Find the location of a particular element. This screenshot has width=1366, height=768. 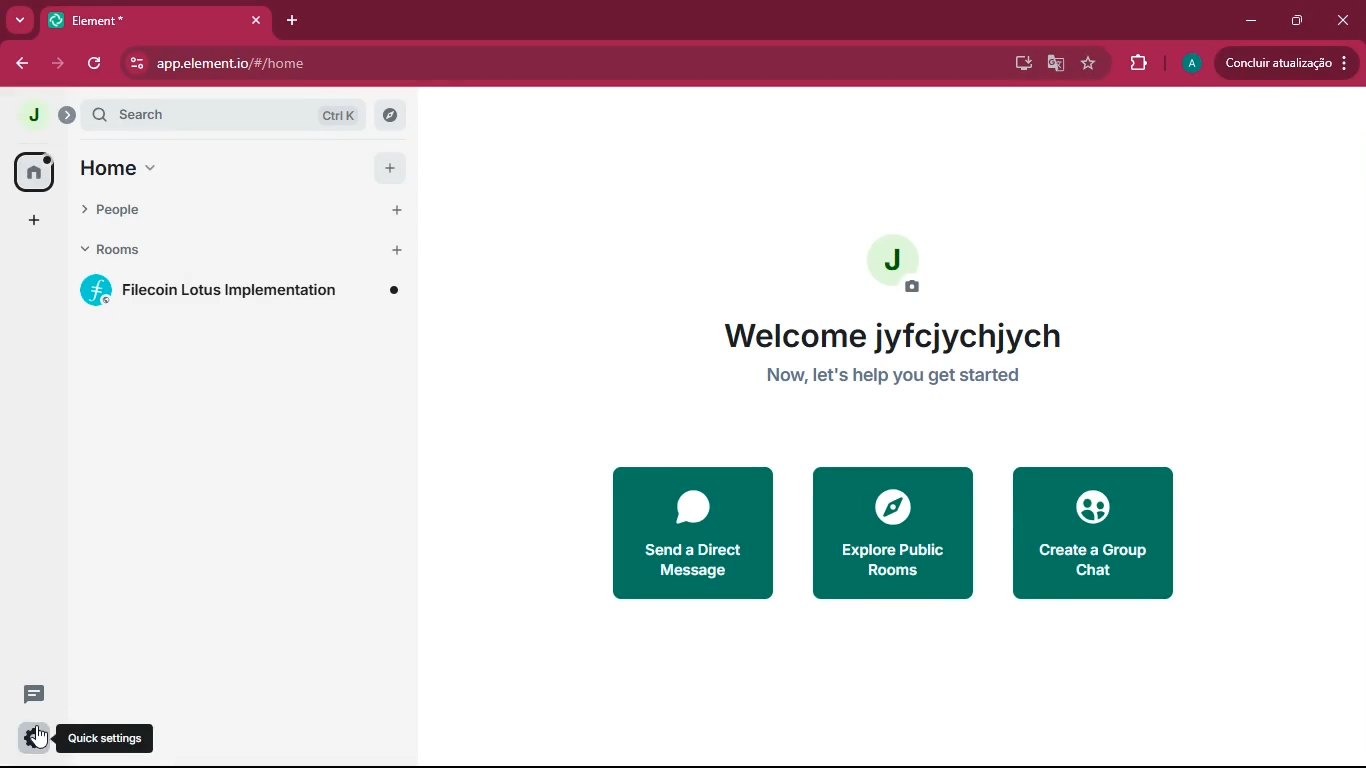

Cursor is located at coordinates (40, 737).